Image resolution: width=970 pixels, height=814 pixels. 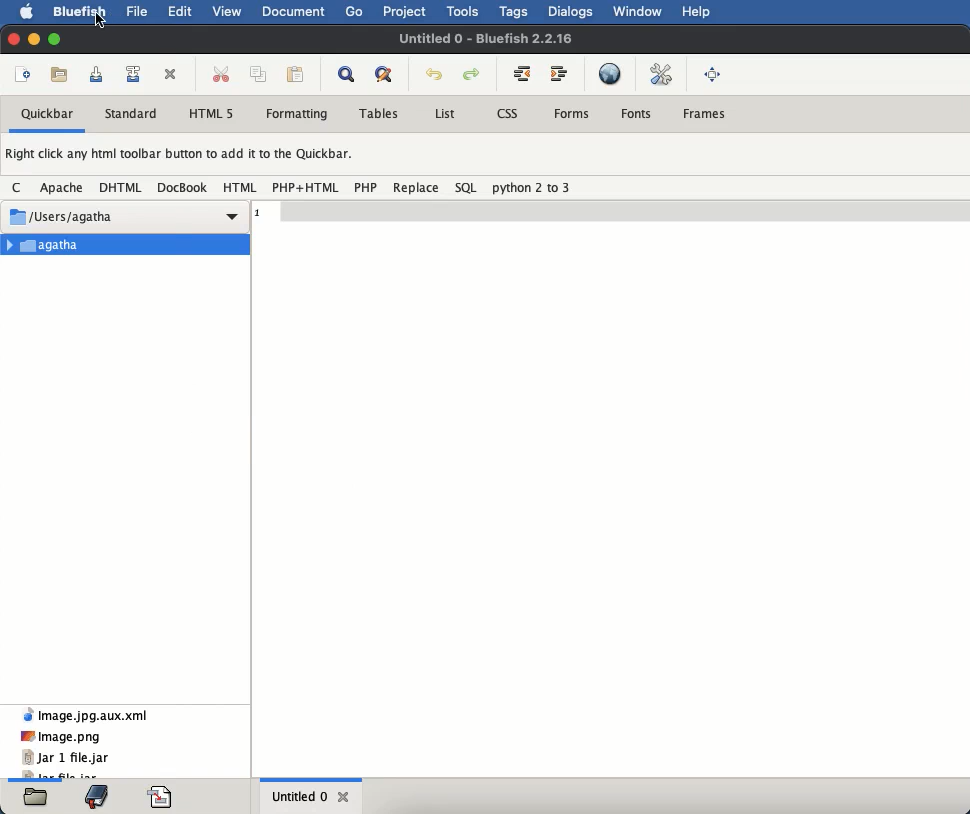 I want to click on project, so click(x=407, y=12).